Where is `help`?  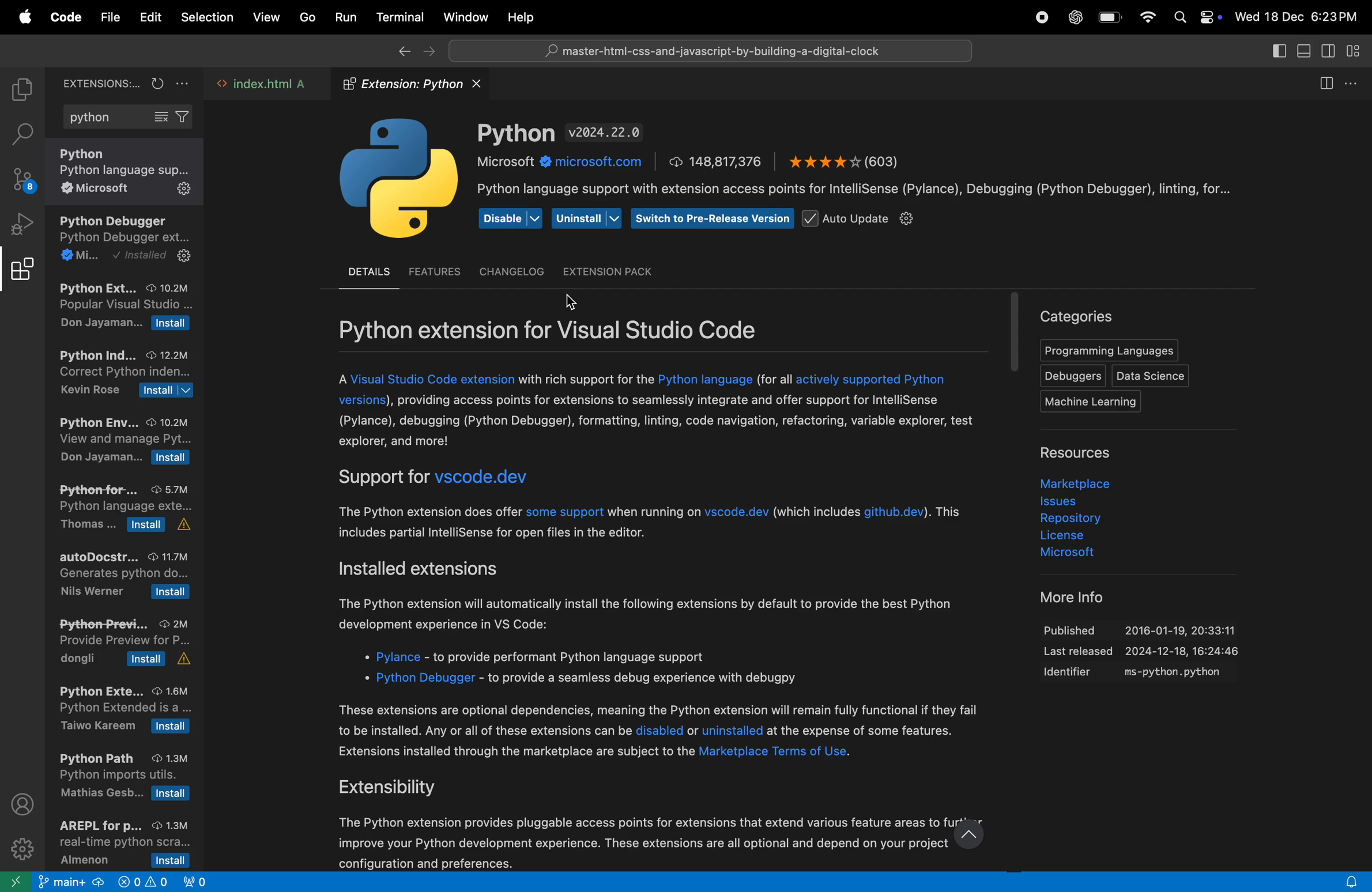
help is located at coordinates (525, 17).